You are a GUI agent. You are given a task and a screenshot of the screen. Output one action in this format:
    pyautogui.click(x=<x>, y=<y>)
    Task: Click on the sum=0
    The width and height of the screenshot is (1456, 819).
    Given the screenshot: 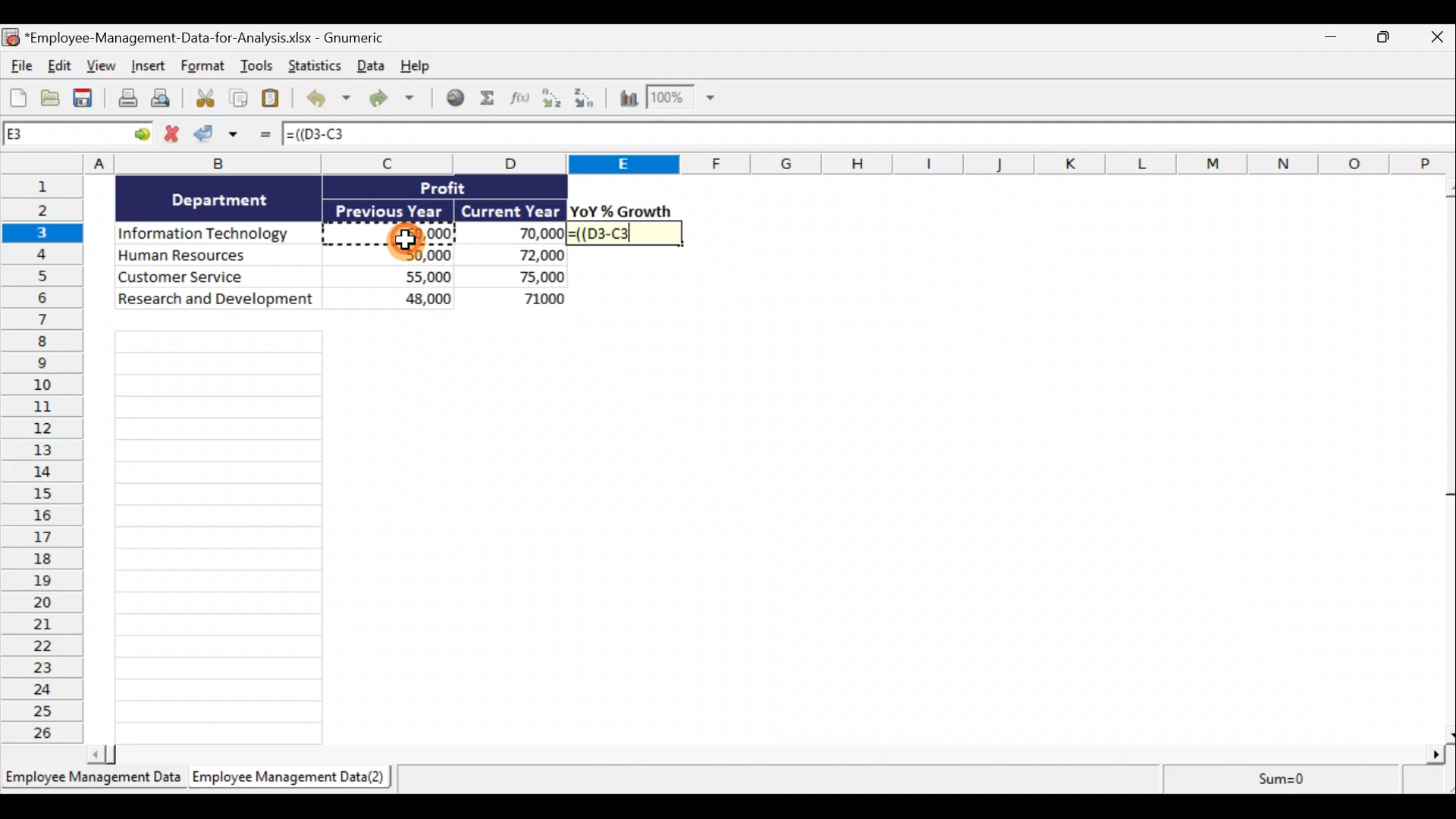 What is the action you would take?
    pyautogui.click(x=1307, y=781)
    